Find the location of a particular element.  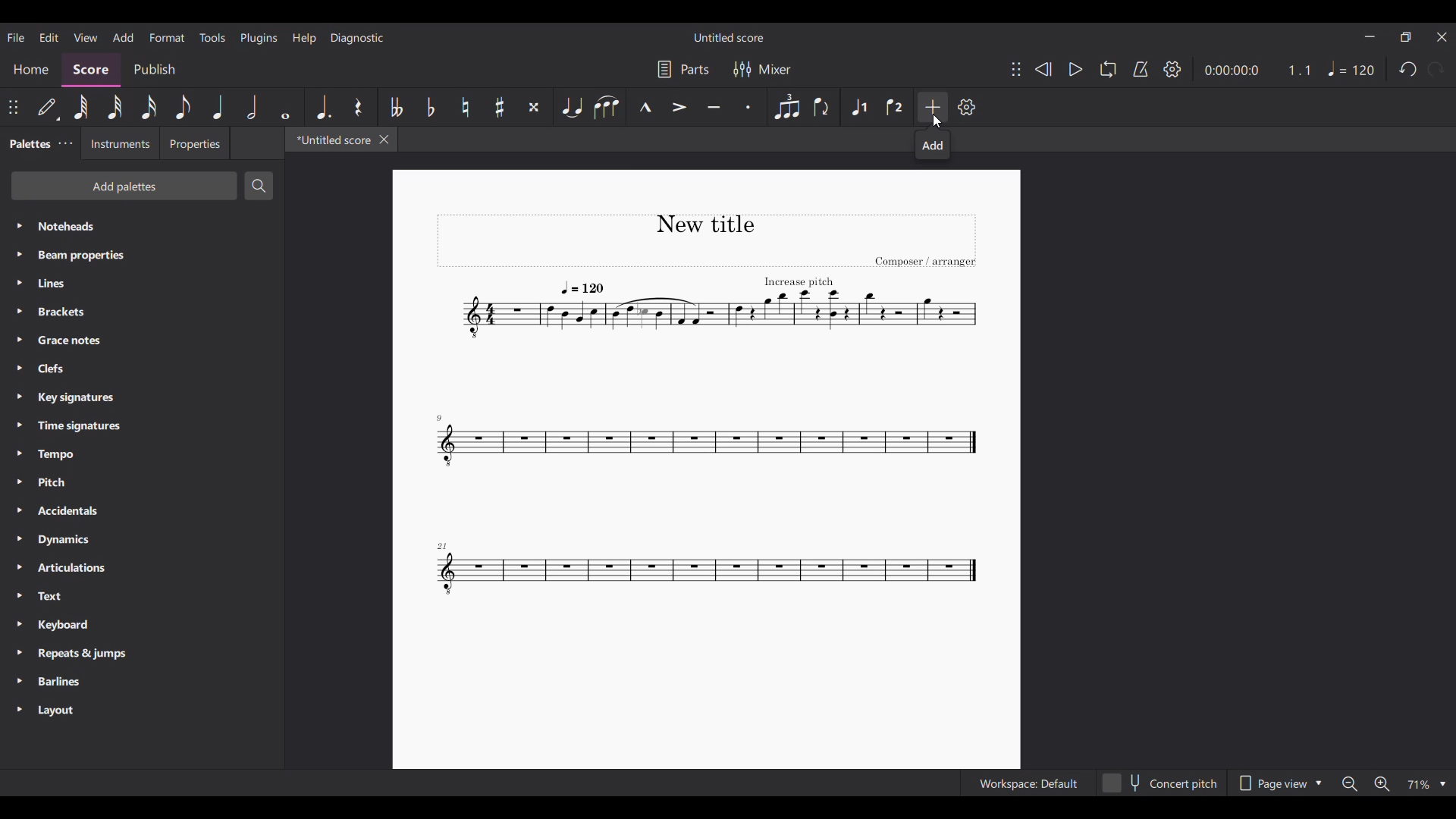

Barlines is located at coordinates (142, 682).